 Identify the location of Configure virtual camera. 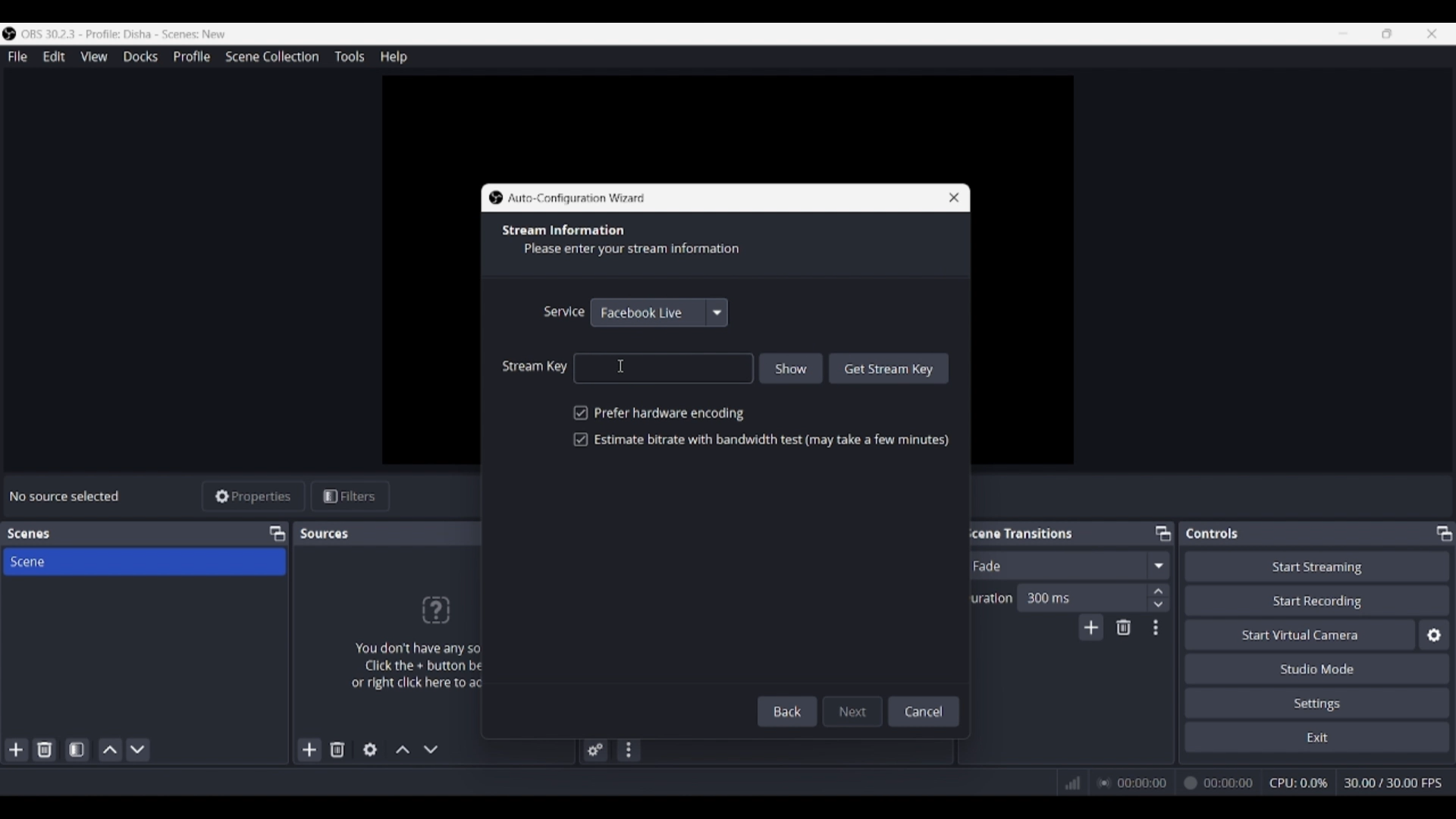
(1434, 635).